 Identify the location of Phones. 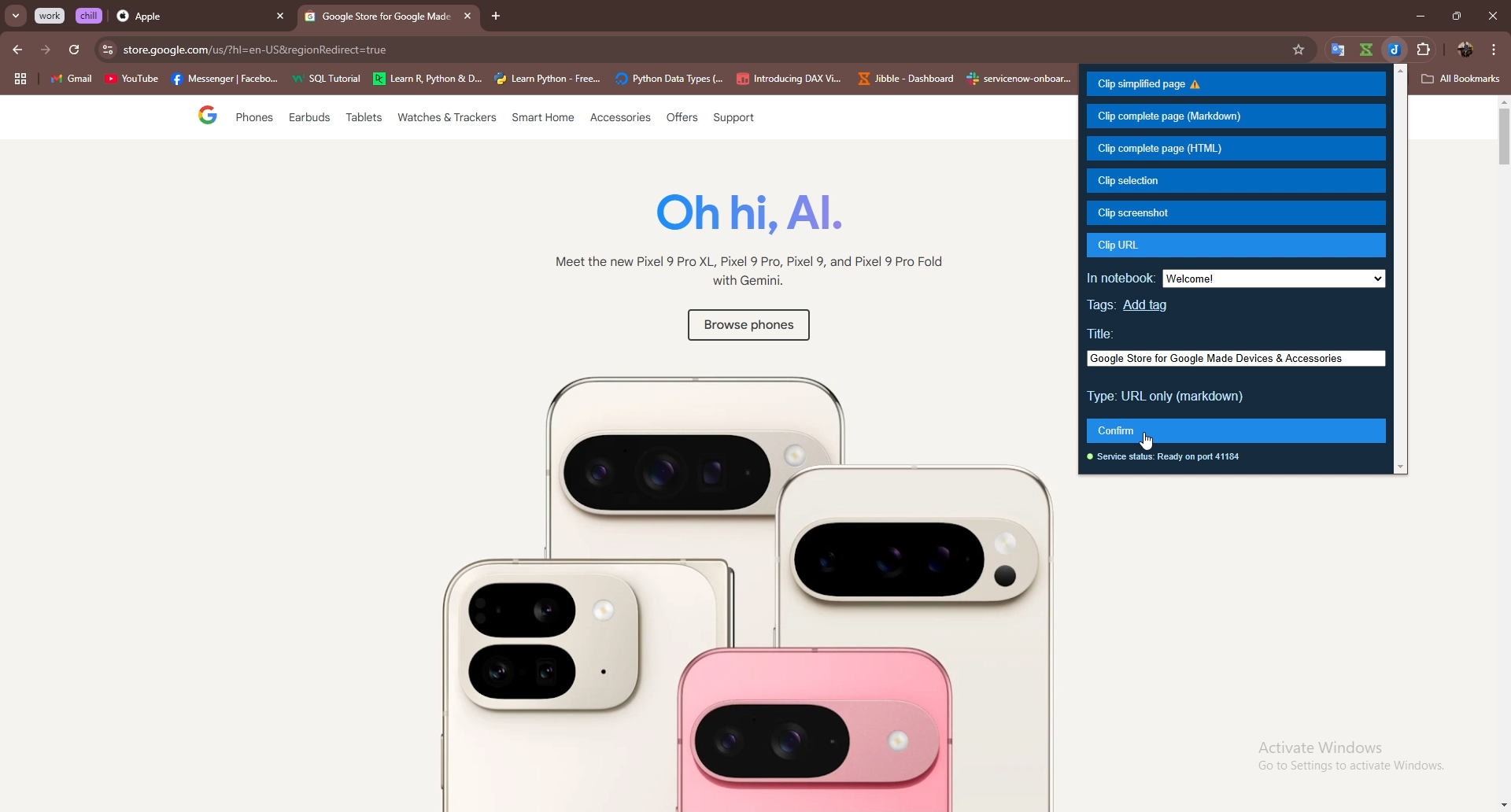
(250, 119).